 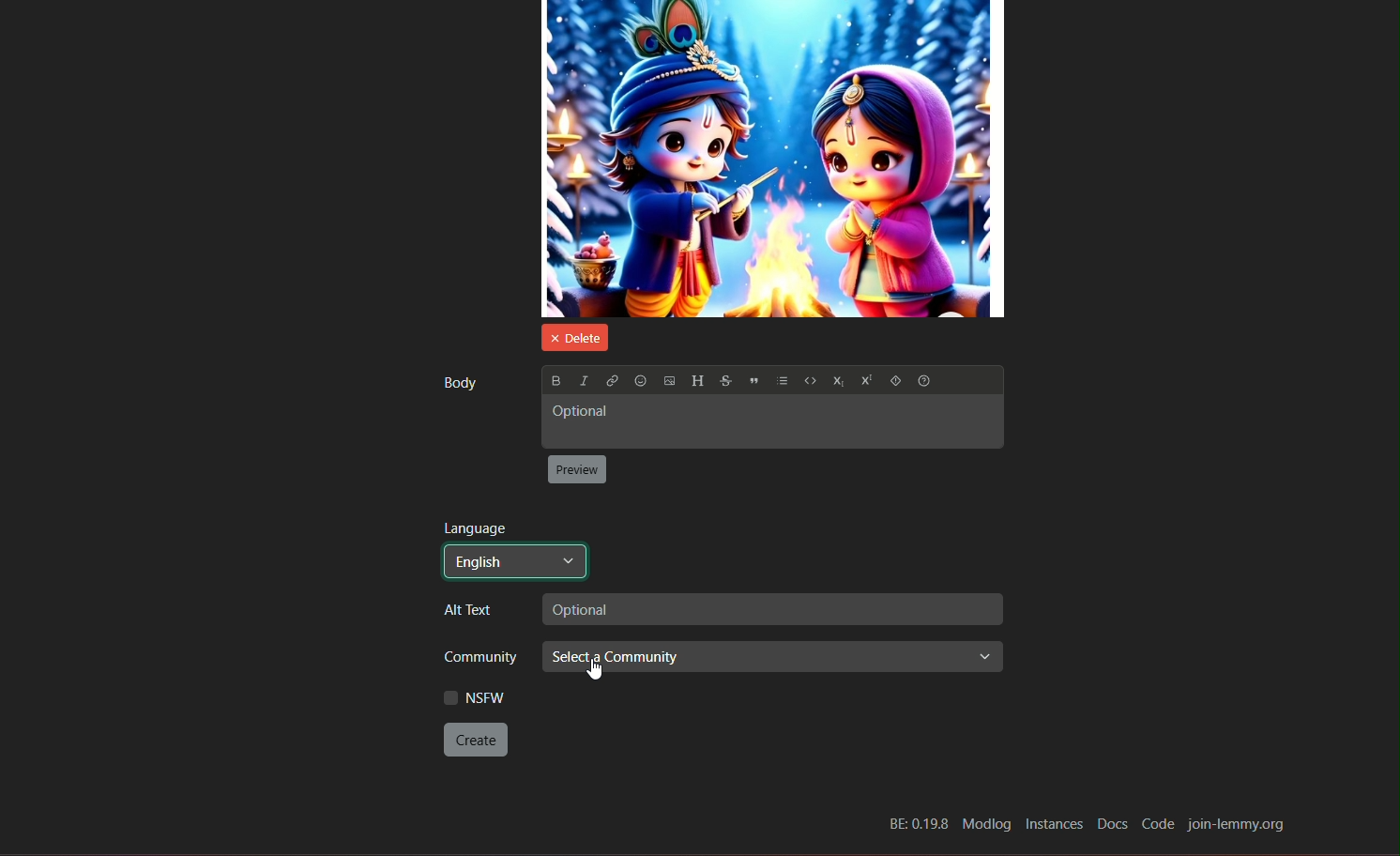 I want to click on Delete, so click(x=571, y=336).